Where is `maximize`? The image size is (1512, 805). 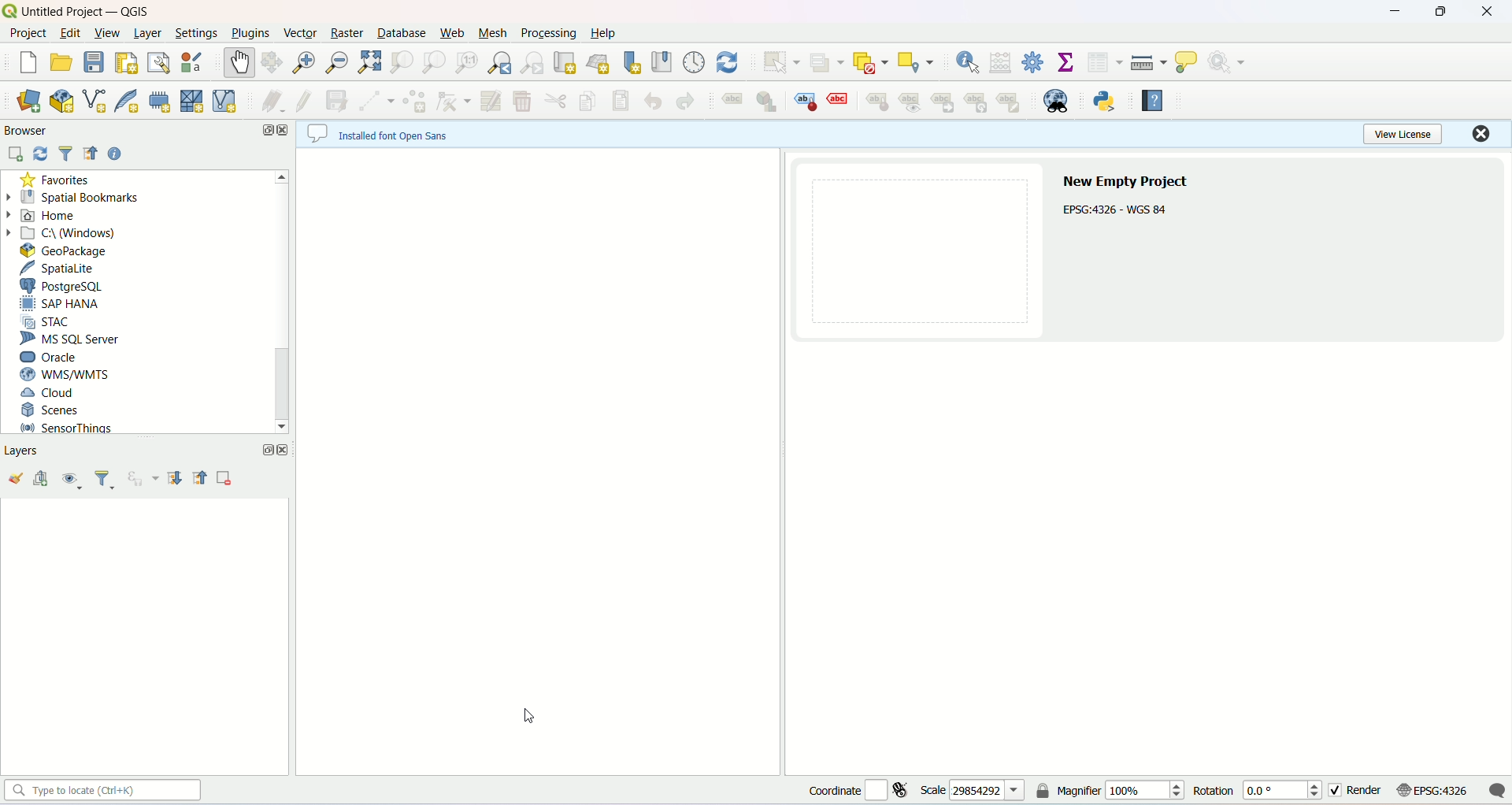 maximize is located at coordinates (1443, 13).